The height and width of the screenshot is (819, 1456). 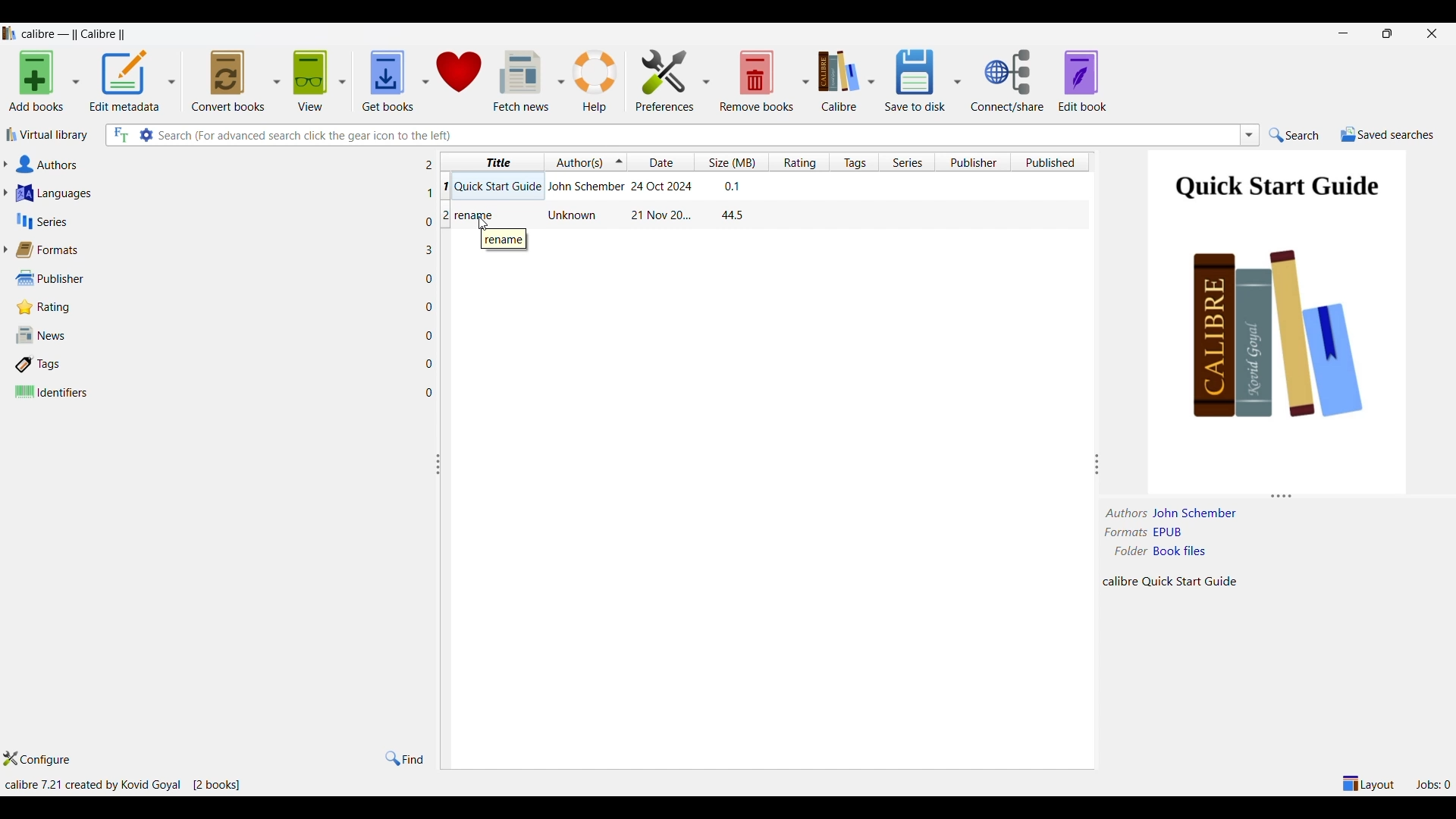 What do you see at coordinates (444, 549) in the screenshot?
I see `Change width of columns attached` at bounding box center [444, 549].